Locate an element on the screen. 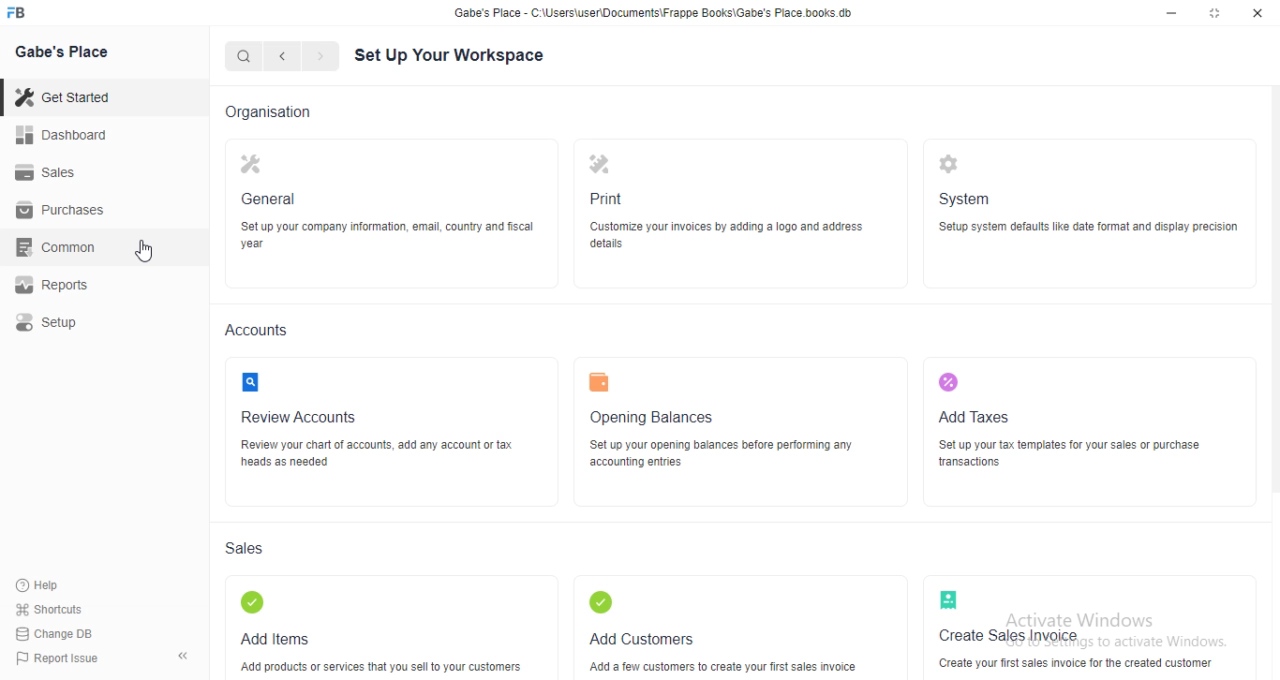  Add Customers is located at coordinates (642, 641).